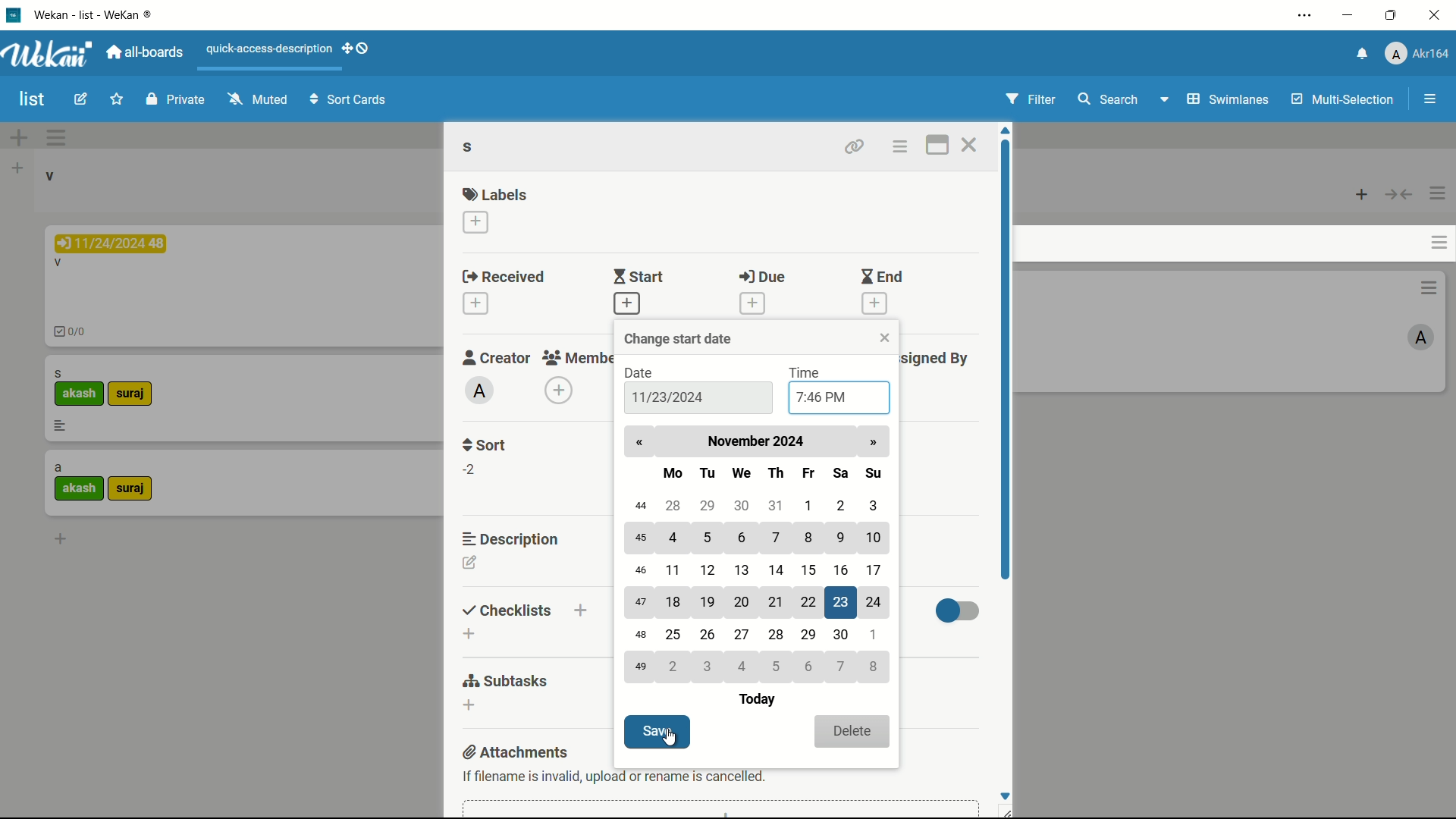 The image size is (1456, 819). What do you see at coordinates (755, 701) in the screenshot?
I see `today` at bounding box center [755, 701].